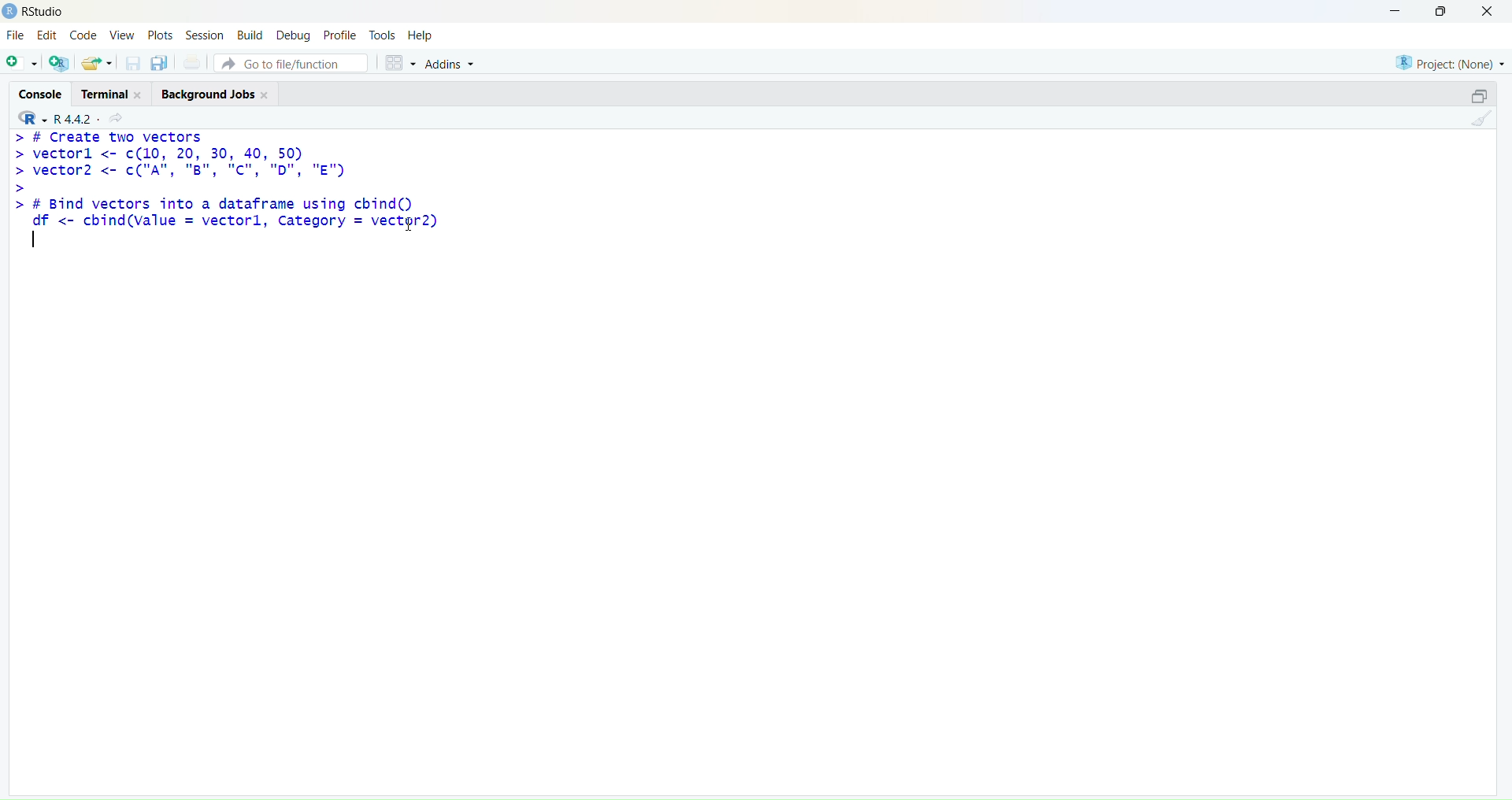 The image size is (1512, 800). Describe the element at coordinates (203, 34) in the screenshot. I see `Session` at that location.